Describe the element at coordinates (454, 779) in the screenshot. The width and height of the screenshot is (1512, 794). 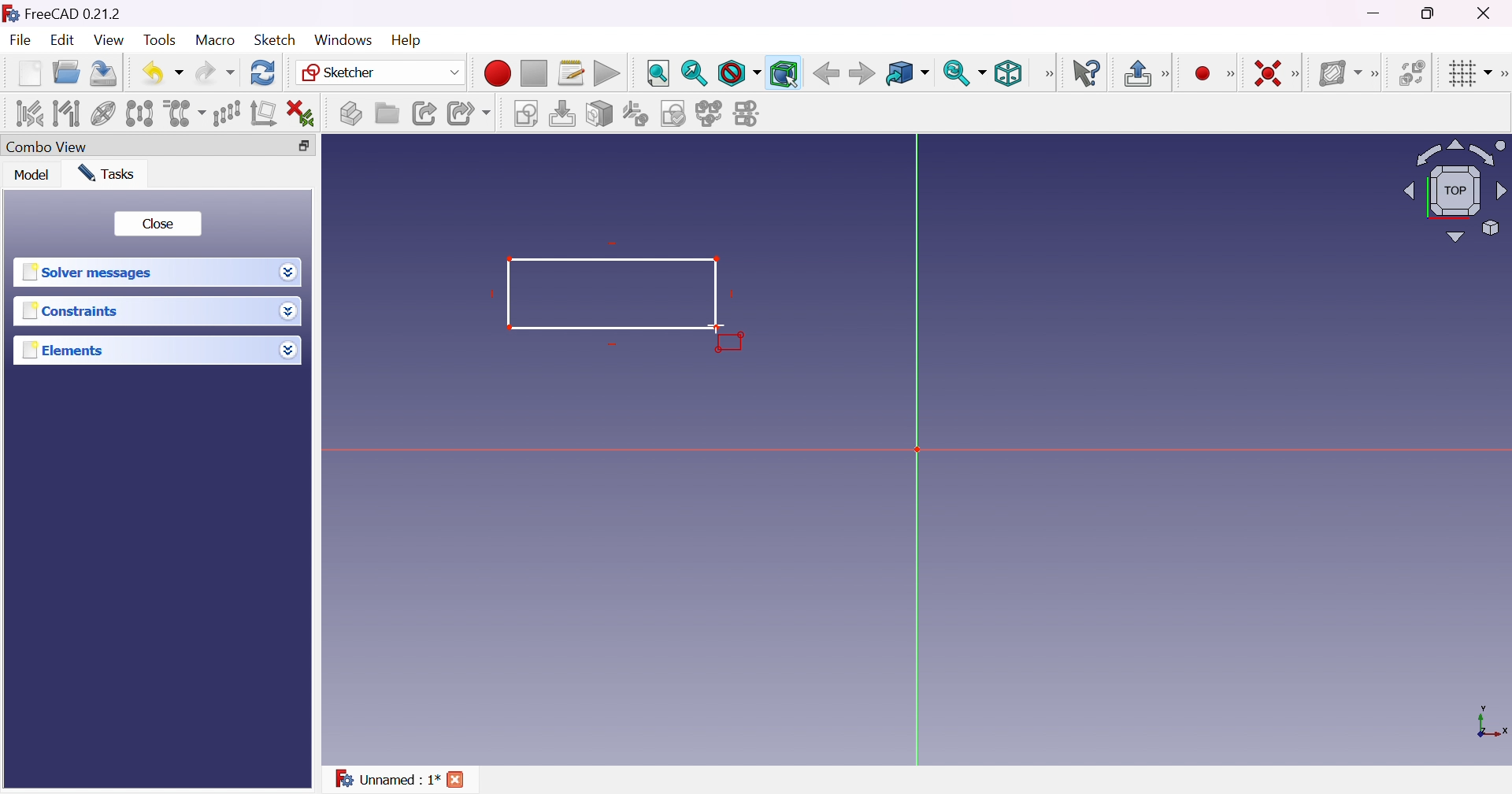
I see `Cross` at that location.